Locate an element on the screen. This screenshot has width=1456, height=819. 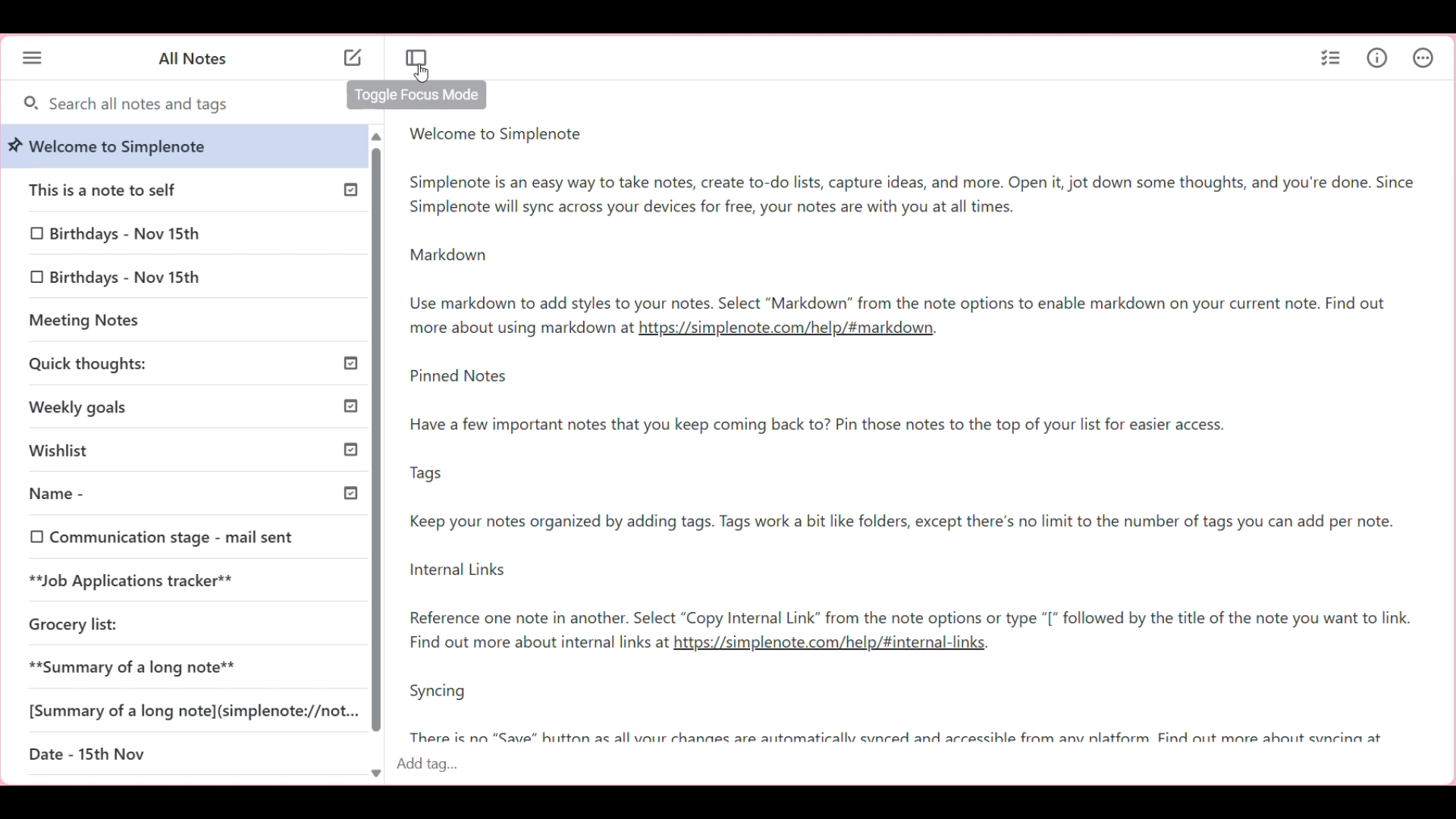
quick slide to top is located at coordinates (376, 137).